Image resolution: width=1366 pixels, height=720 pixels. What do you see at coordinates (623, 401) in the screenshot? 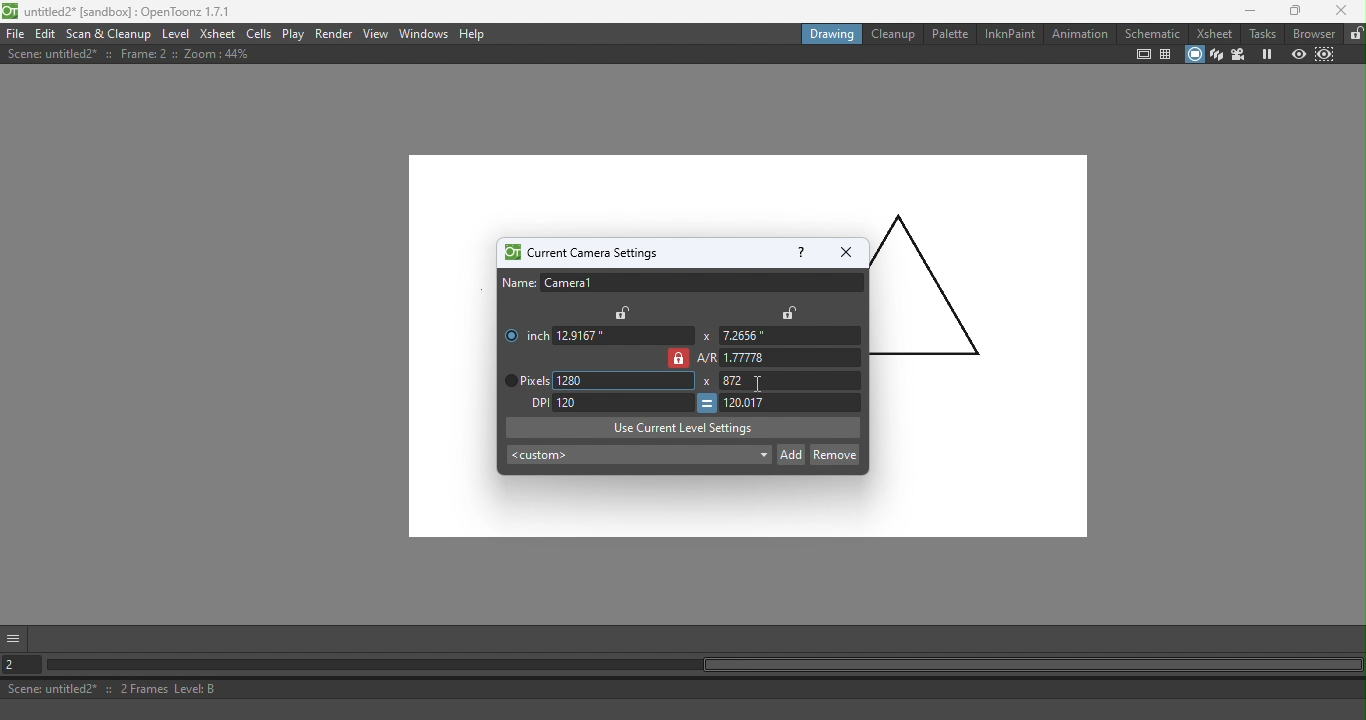
I see `Enter pixel` at bounding box center [623, 401].